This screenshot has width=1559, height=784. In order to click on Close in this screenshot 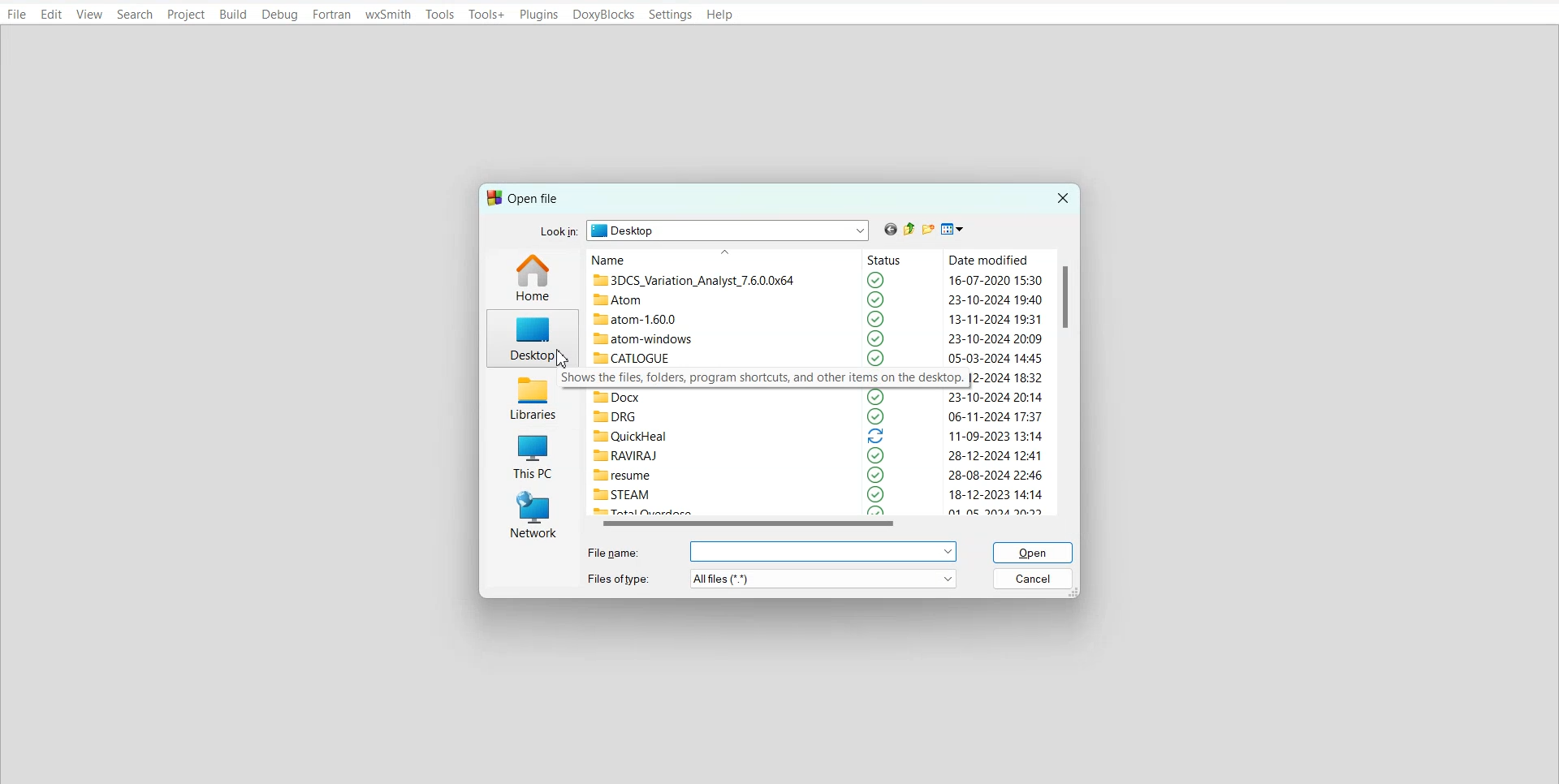, I will do `click(1064, 196)`.